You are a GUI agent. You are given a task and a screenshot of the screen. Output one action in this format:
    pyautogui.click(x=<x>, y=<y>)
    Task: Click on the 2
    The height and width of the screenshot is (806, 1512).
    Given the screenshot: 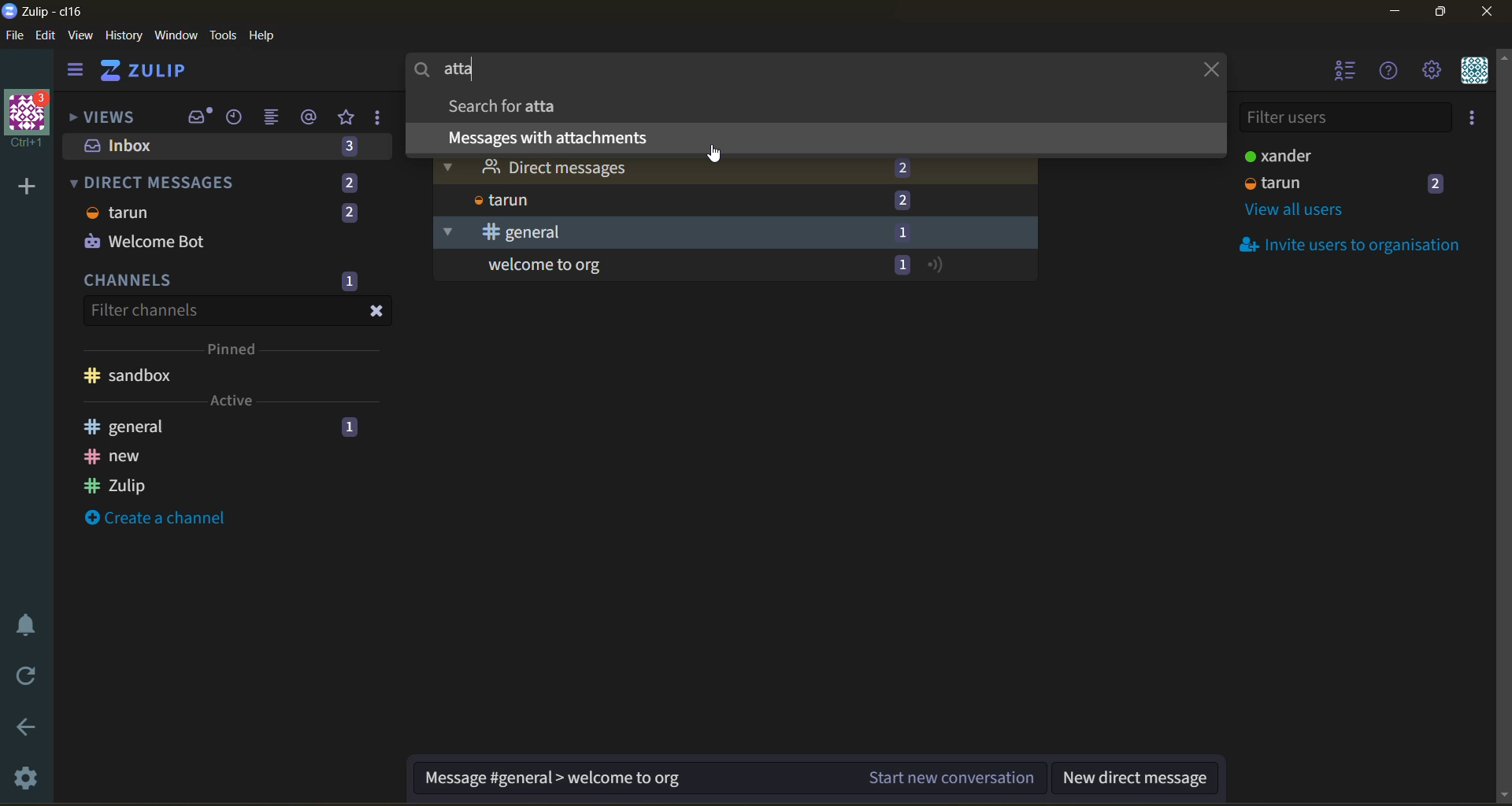 What is the action you would take?
    pyautogui.click(x=898, y=166)
    